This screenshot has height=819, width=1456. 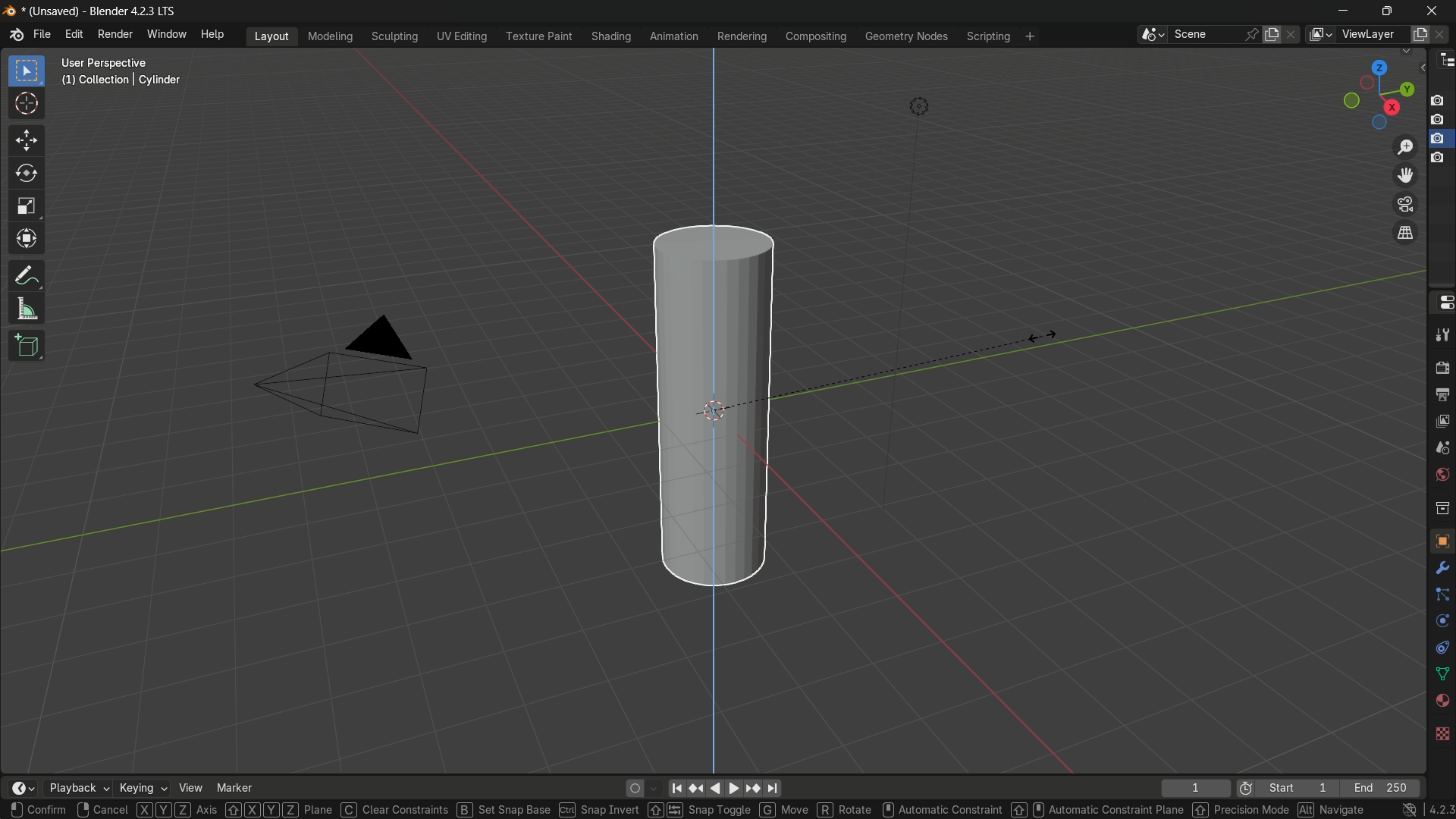 I want to click on (1) Collection | Cylinder, so click(x=121, y=81).